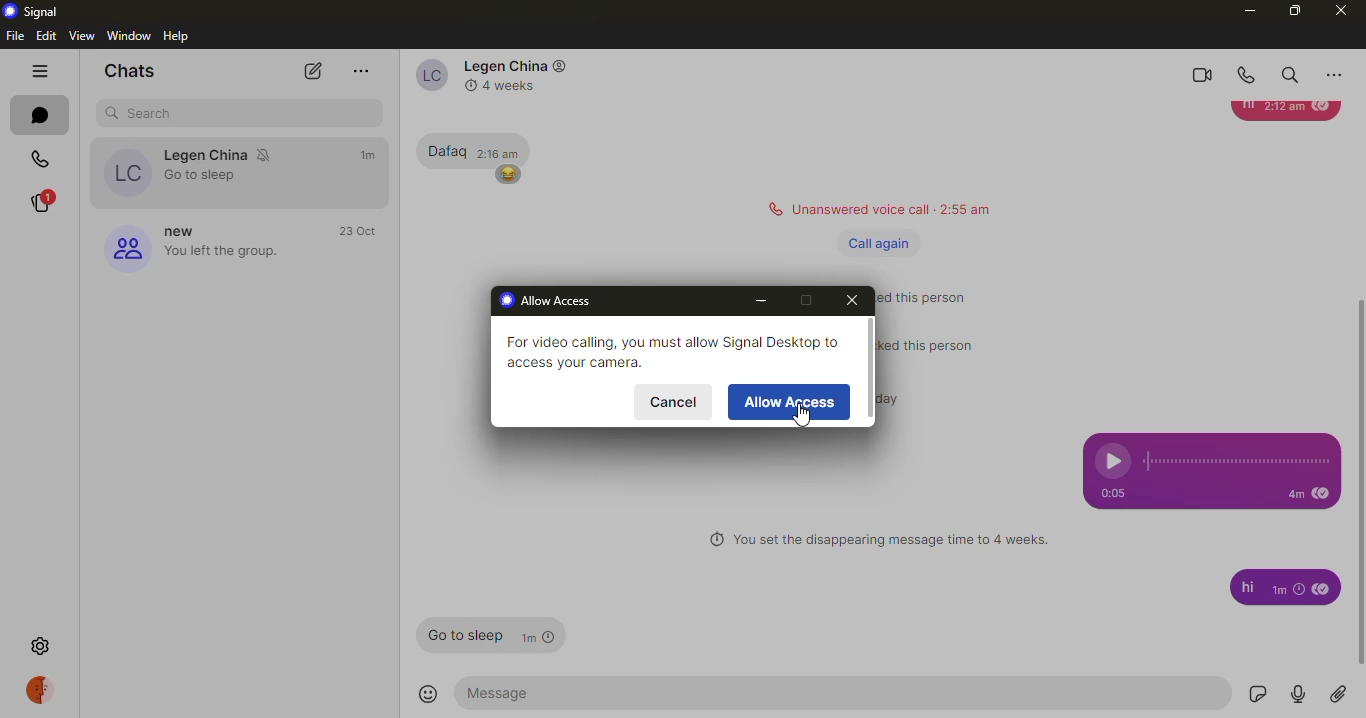 Image resolution: width=1366 pixels, height=718 pixels. Describe the element at coordinates (1335, 73) in the screenshot. I see `more` at that location.